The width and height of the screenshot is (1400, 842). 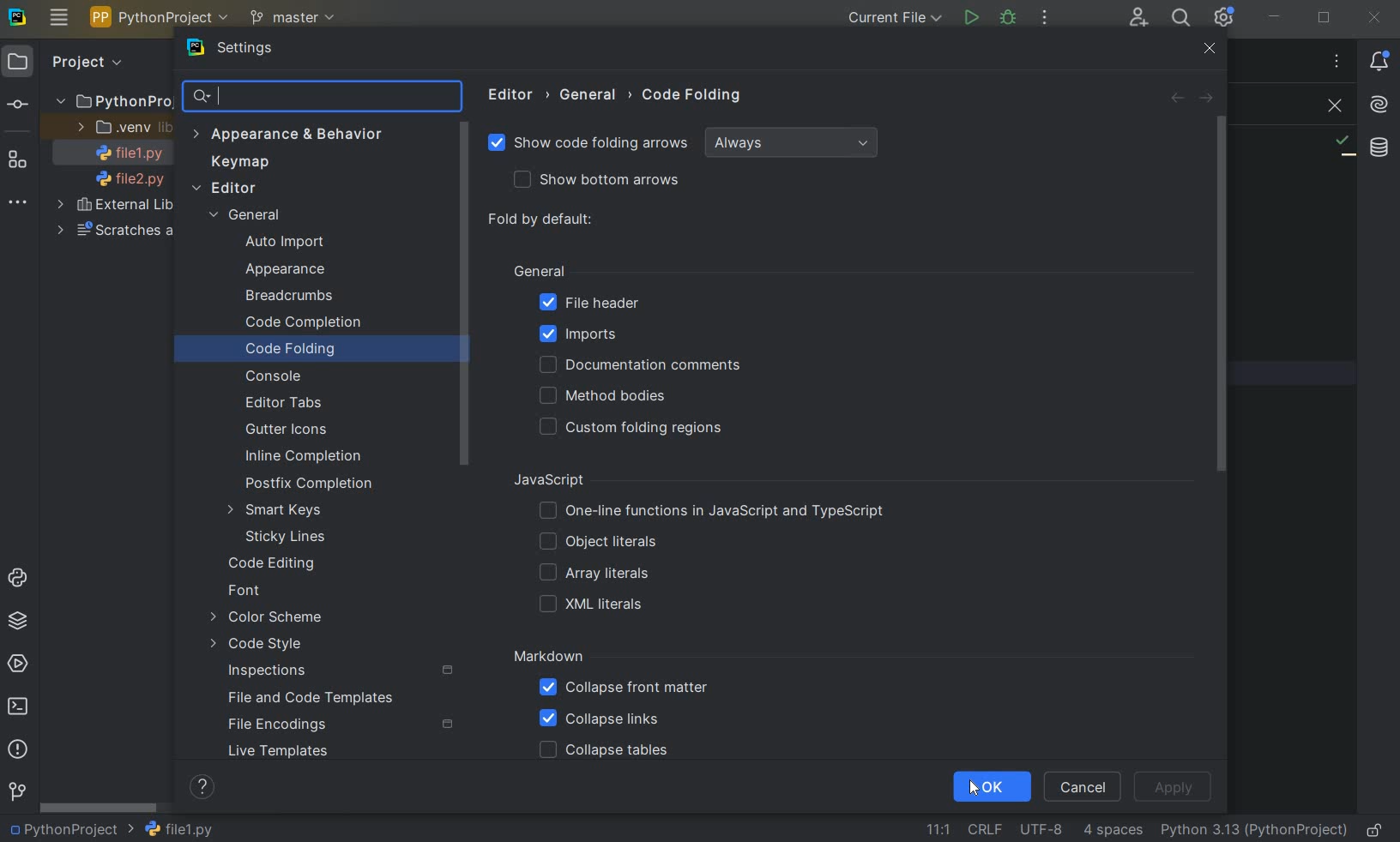 I want to click on AI ASSISTANT, so click(x=1379, y=105).